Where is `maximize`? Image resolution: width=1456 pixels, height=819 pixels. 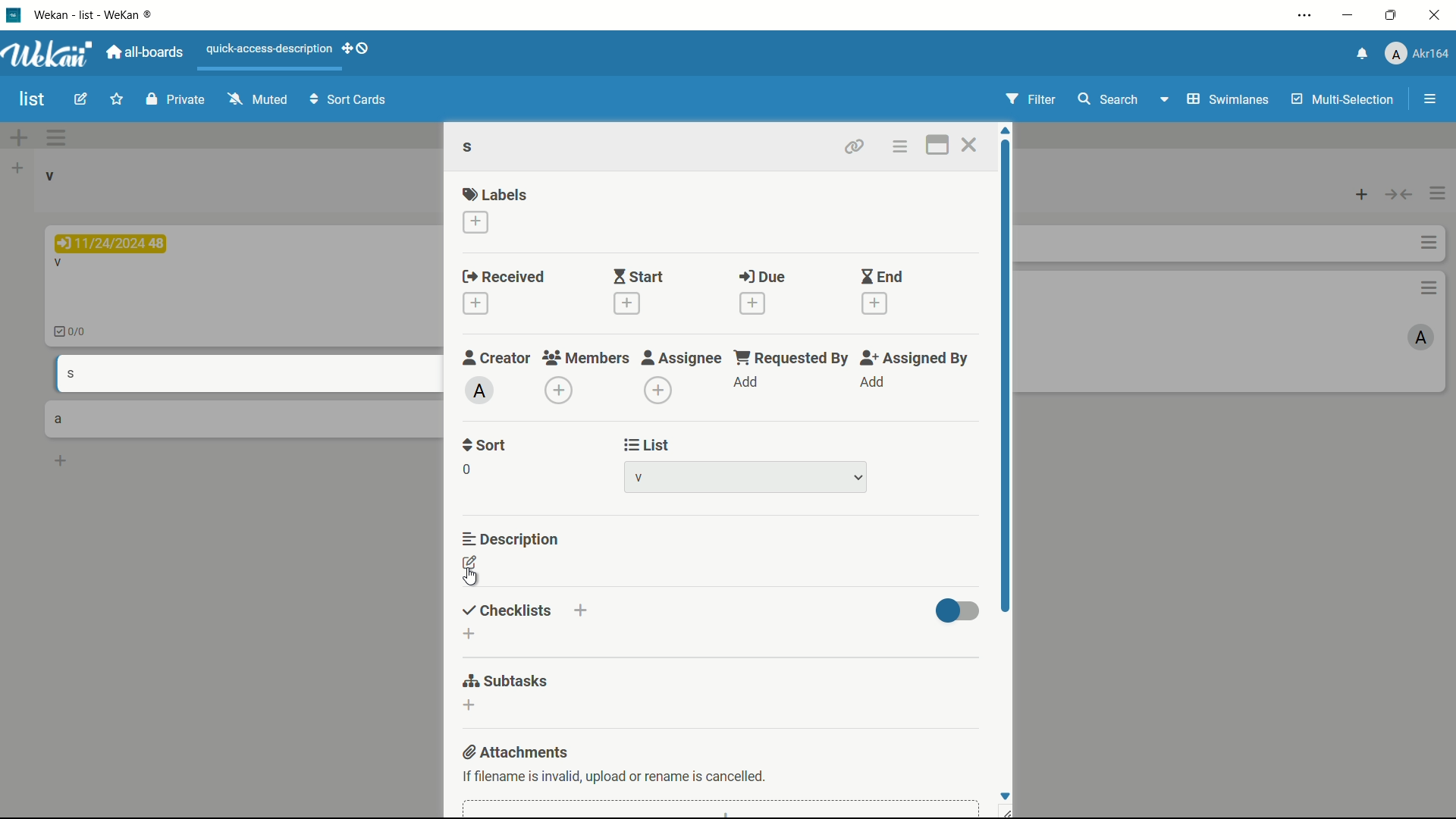 maximize is located at coordinates (1391, 16).